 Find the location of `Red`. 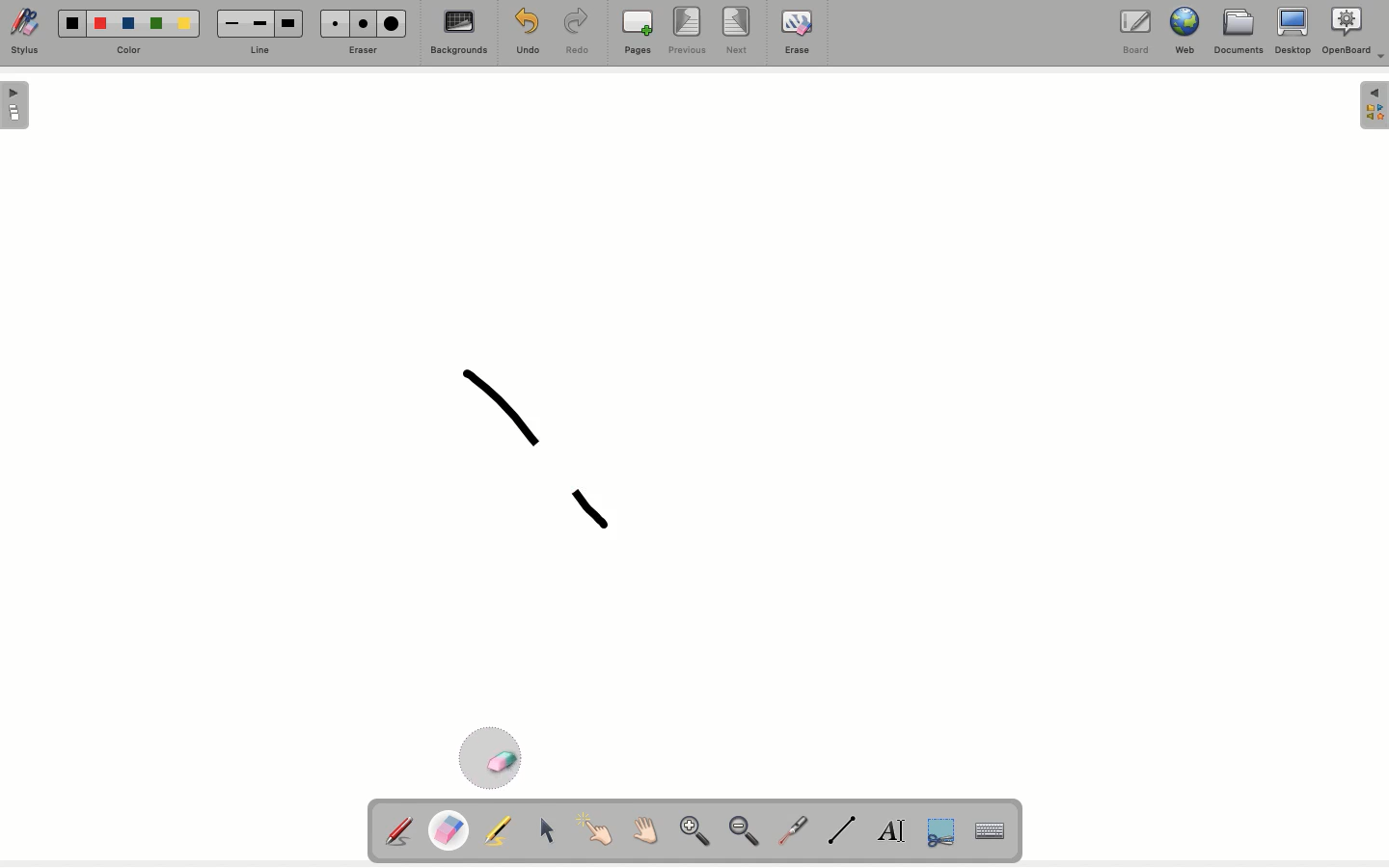

Red is located at coordinates (101, 26).